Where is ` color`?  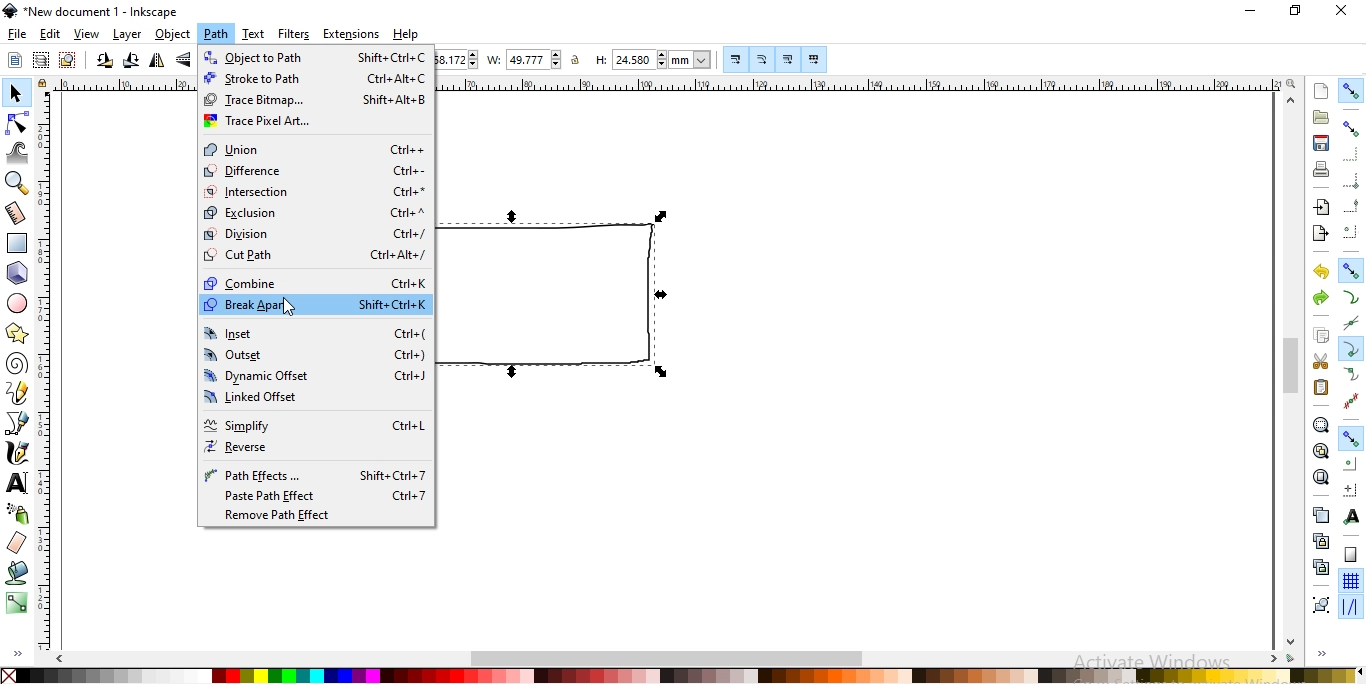
 color is located at coordinates (685, 675).